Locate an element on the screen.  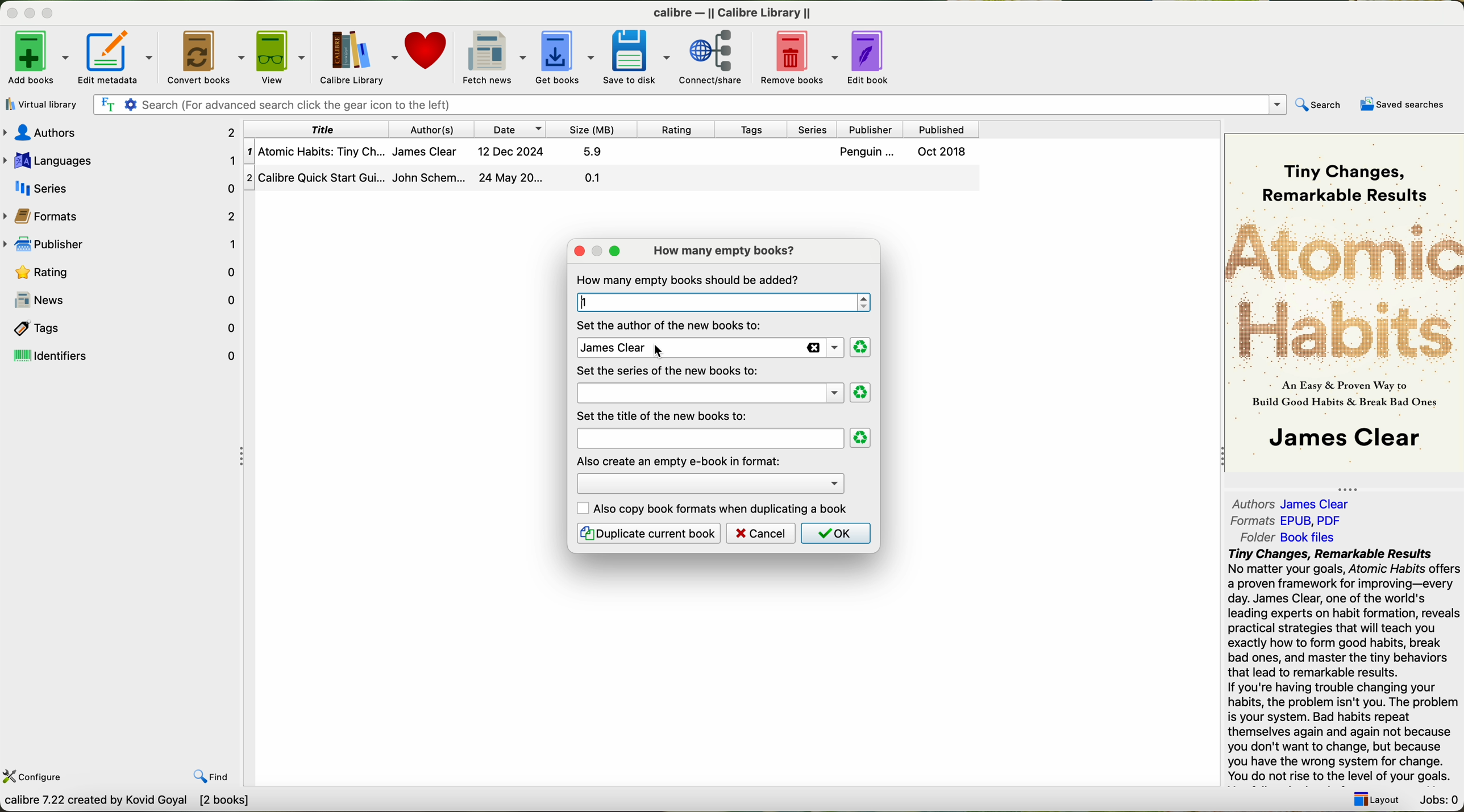
calibre library is located at coordinates (356, 56).